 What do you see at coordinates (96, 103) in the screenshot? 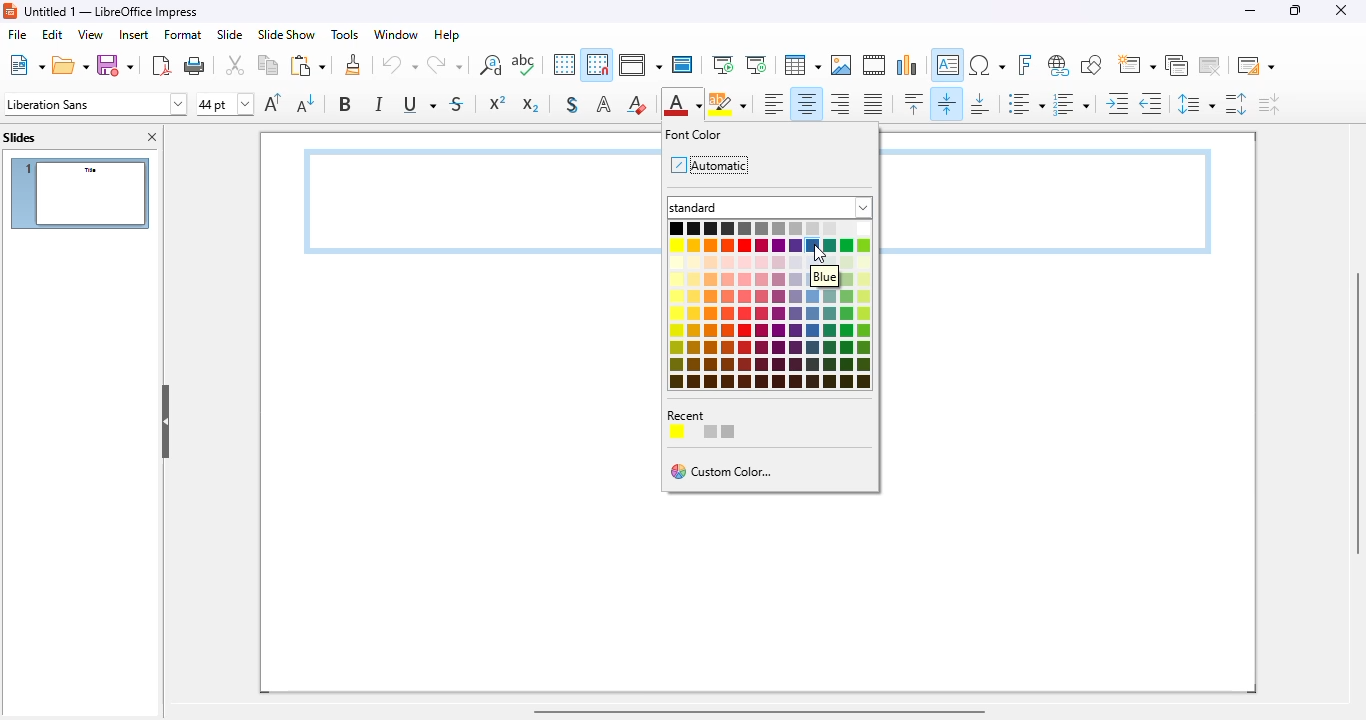
I see `font name` at bounding box center [96, 103].